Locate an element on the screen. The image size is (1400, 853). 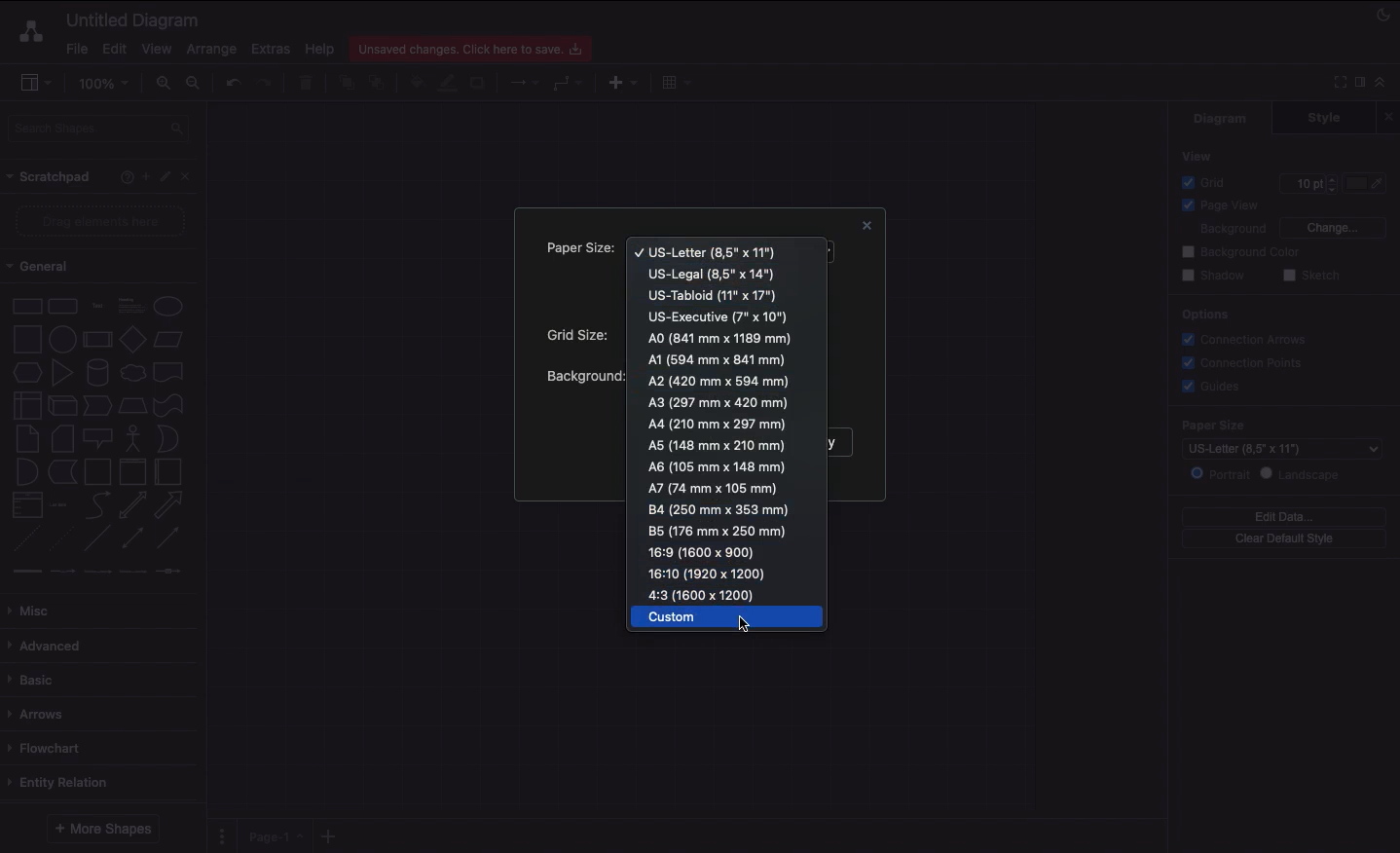
Close is located at coordinates (864, 228).